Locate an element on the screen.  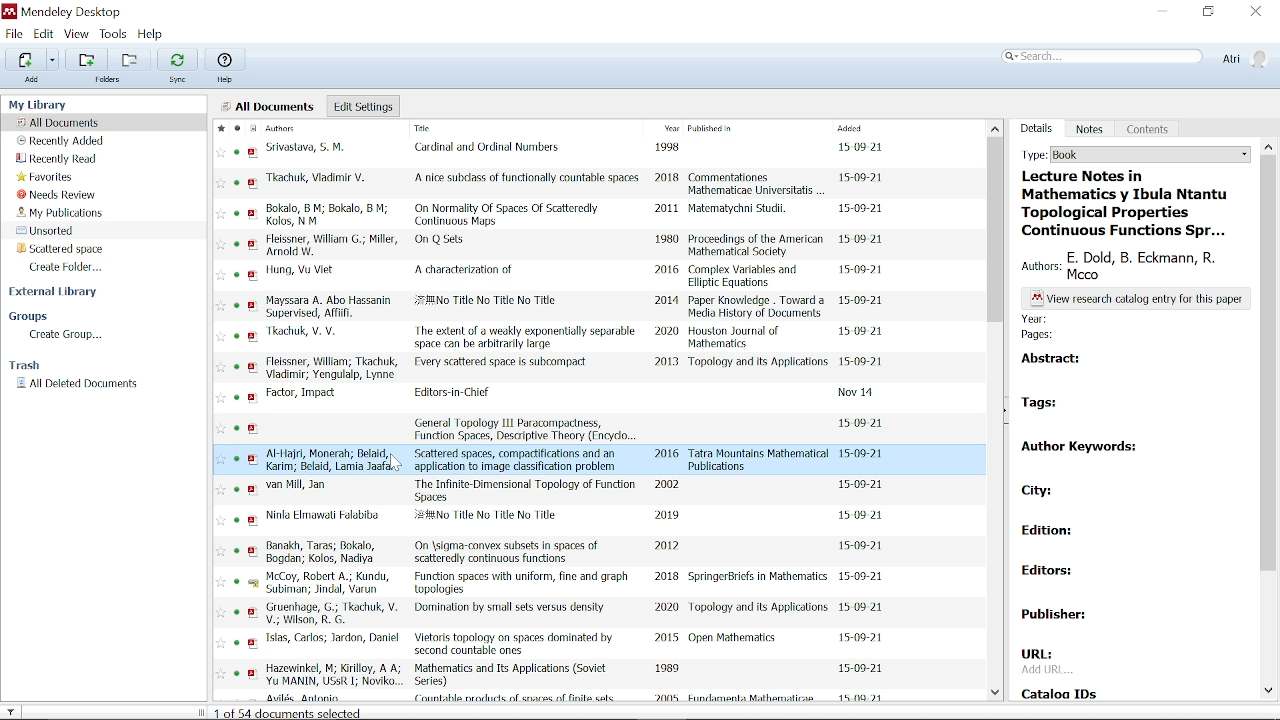
All deleted documents is located at coordinates (78, 384).